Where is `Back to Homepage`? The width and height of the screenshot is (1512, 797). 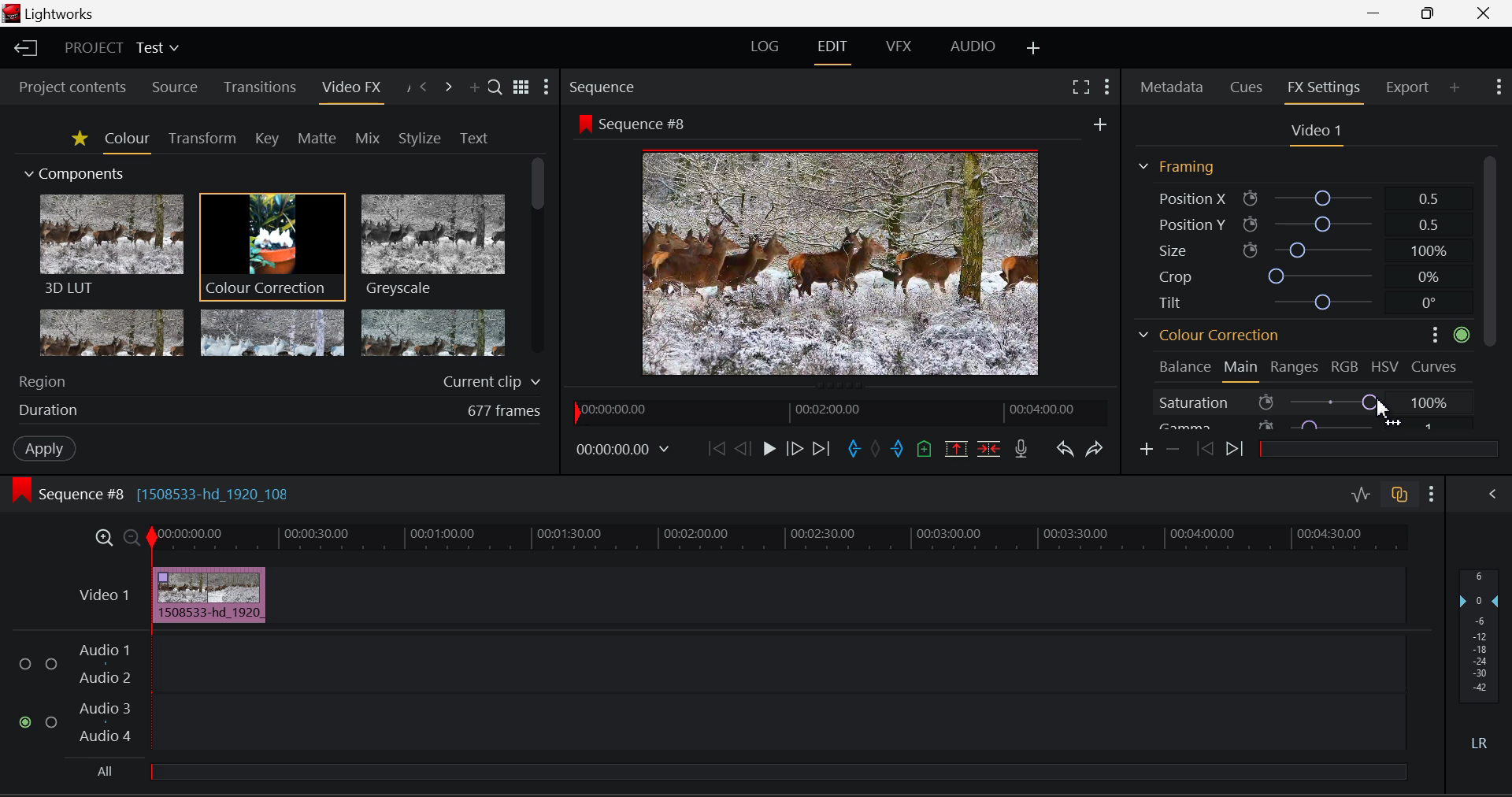
Back to Homepage is located at coordinates (24, 49).